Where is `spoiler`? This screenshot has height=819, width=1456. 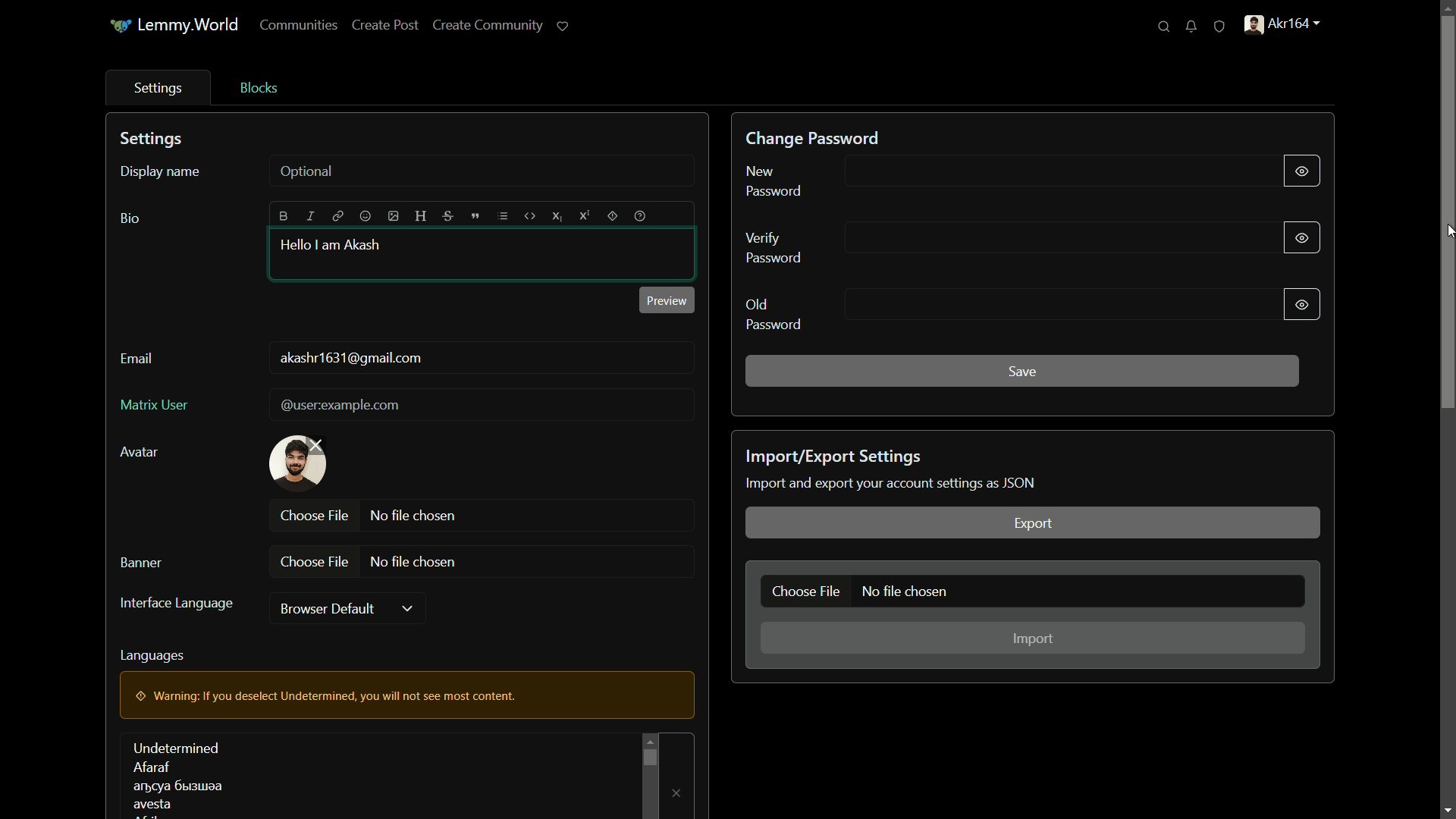
spoiler is located at coordinates (612, 217).